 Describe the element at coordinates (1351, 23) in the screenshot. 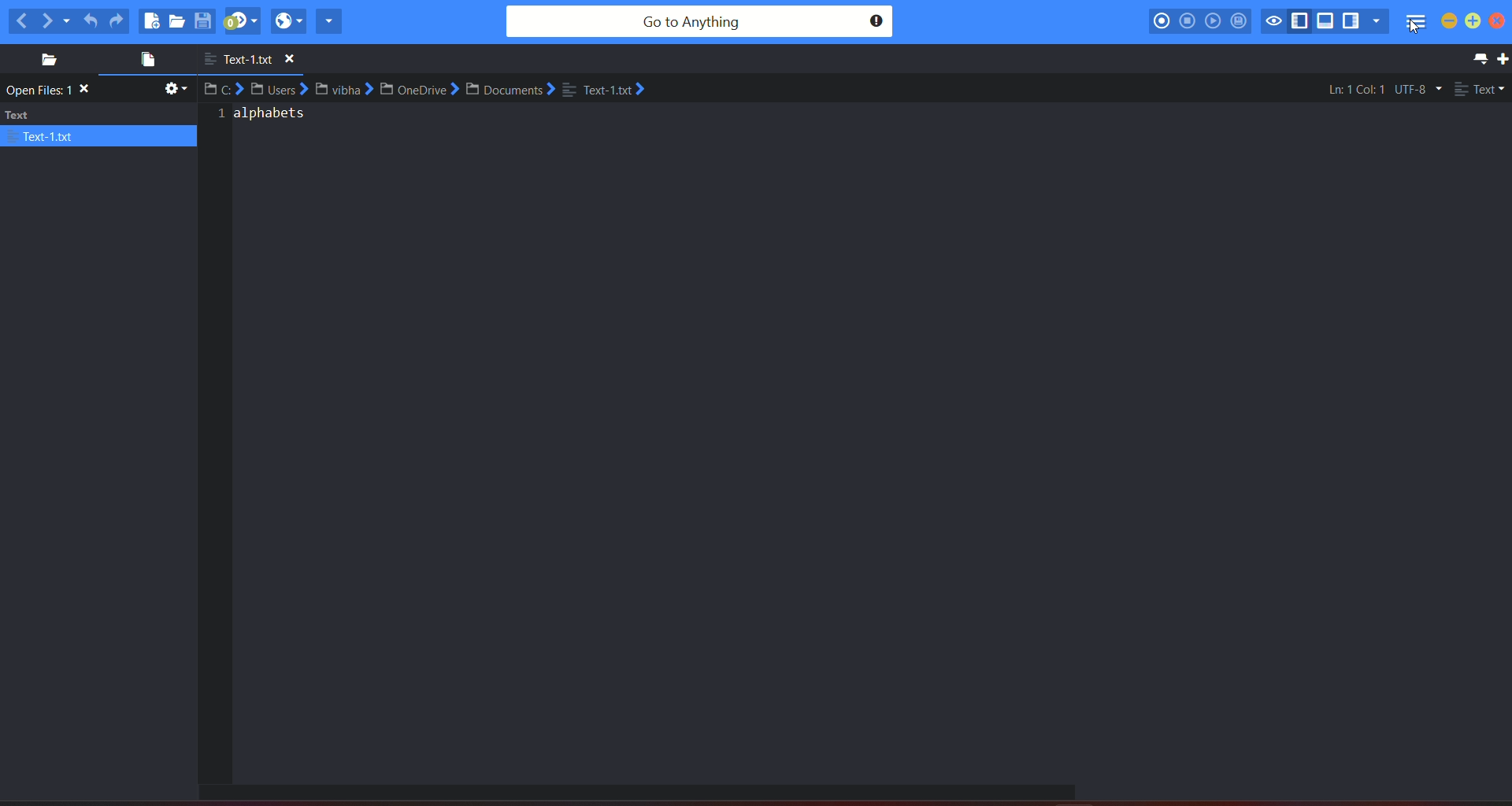

I see `show/hide right pane` at that location.